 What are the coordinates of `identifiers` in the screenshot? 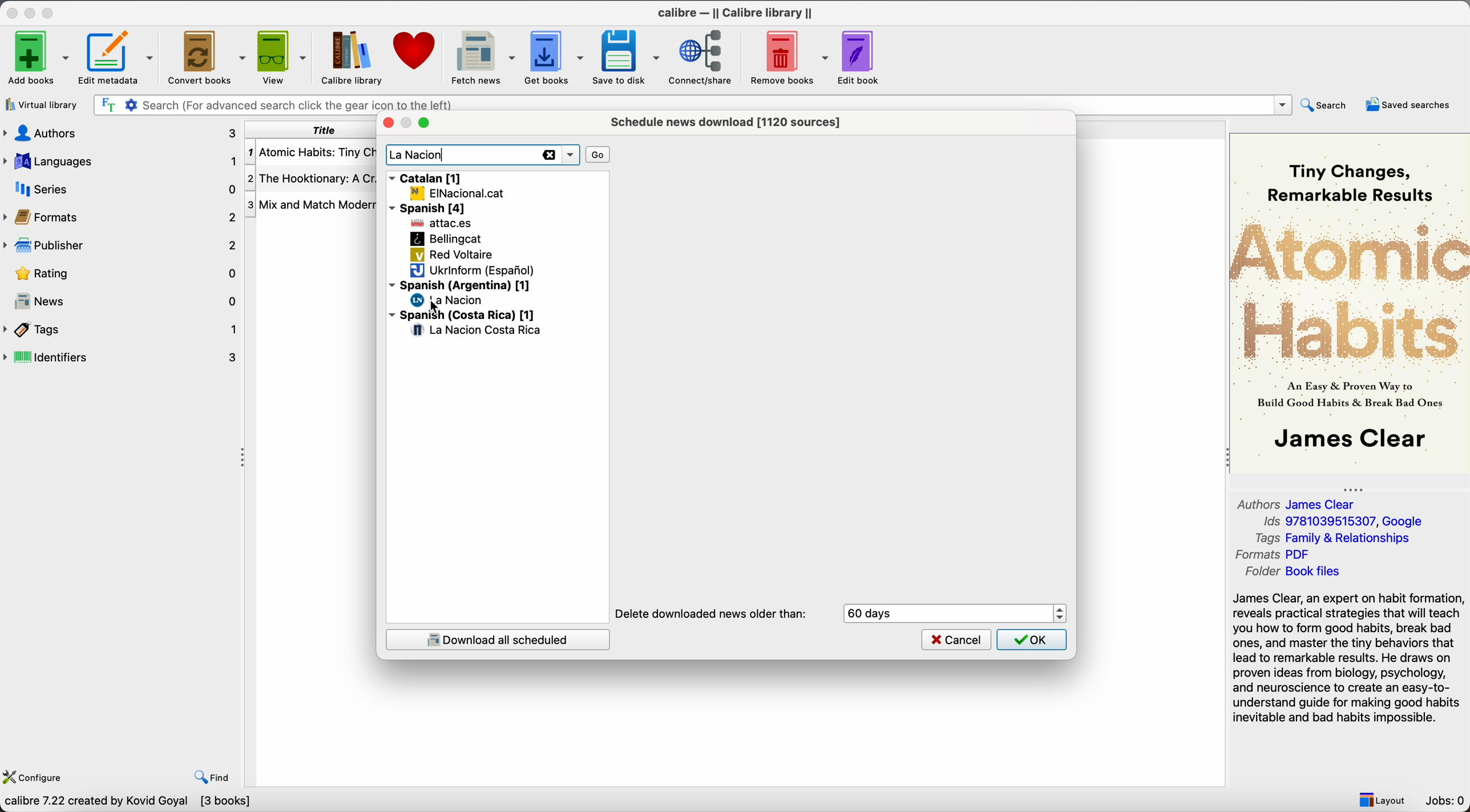 It's located at (122, 358).